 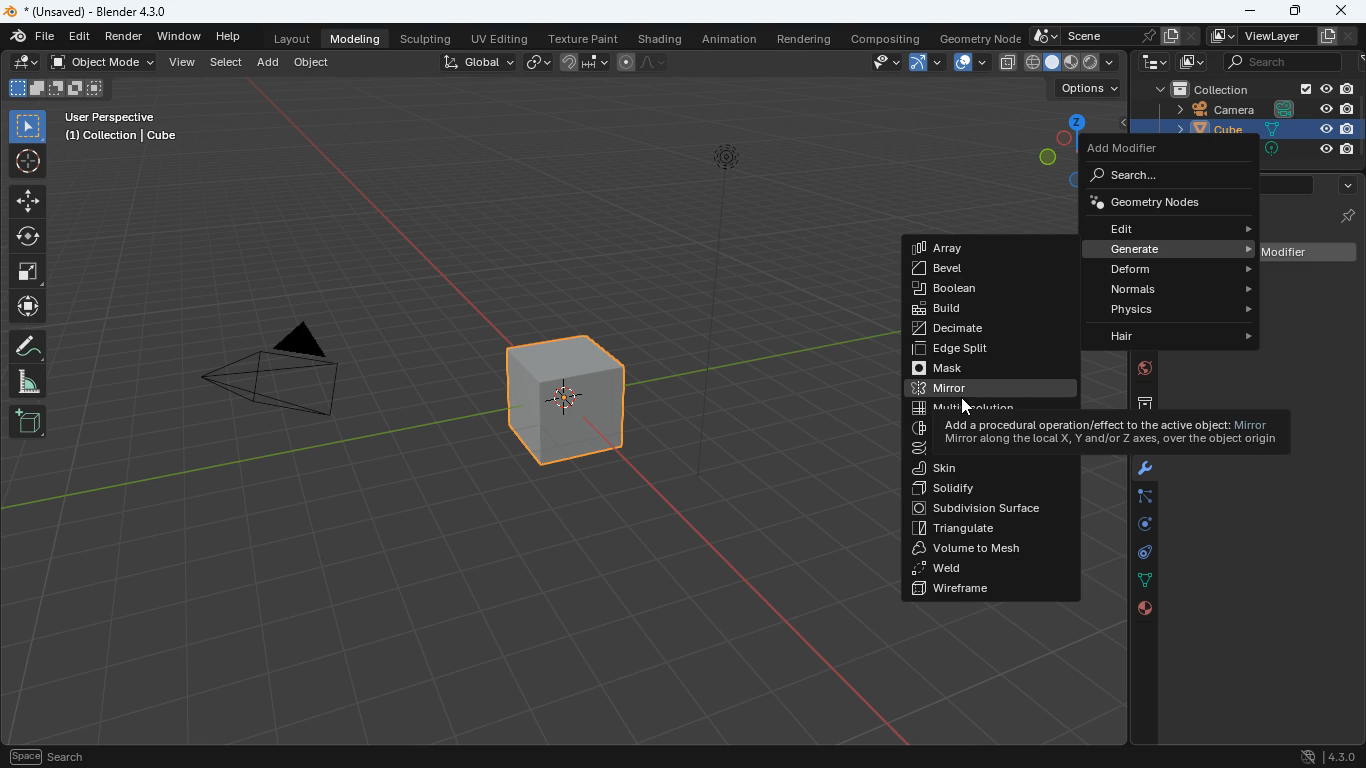 What do you see at coordinates (1141, 555) in the screenshot?
I see `control` at bounding box center [1141, 555].